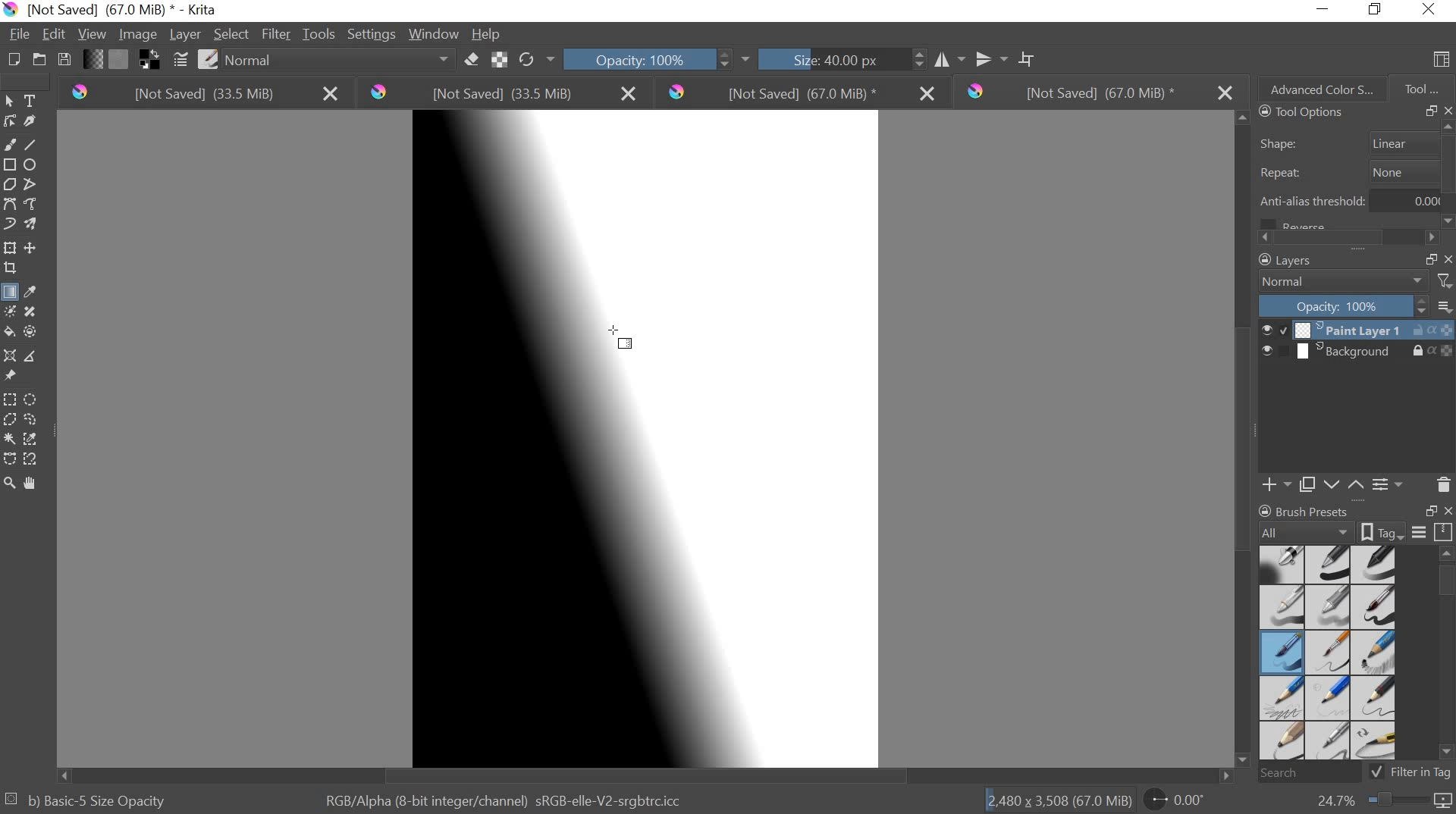 The image size is (1456, 814). I want to click on similar color selection, so click(33, 439).